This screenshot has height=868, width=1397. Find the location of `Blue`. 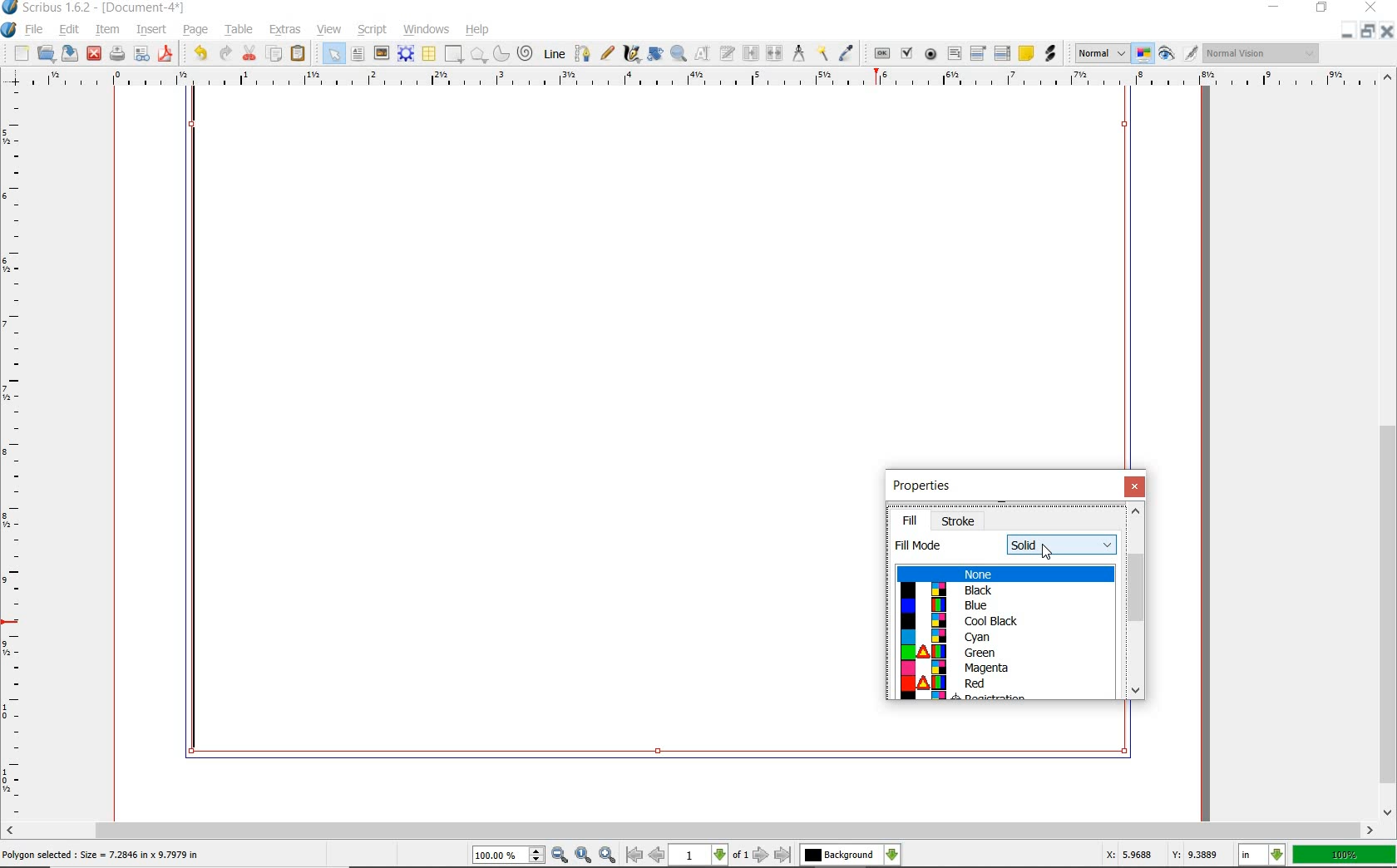

Blue is located at coordinates (1000, 605).